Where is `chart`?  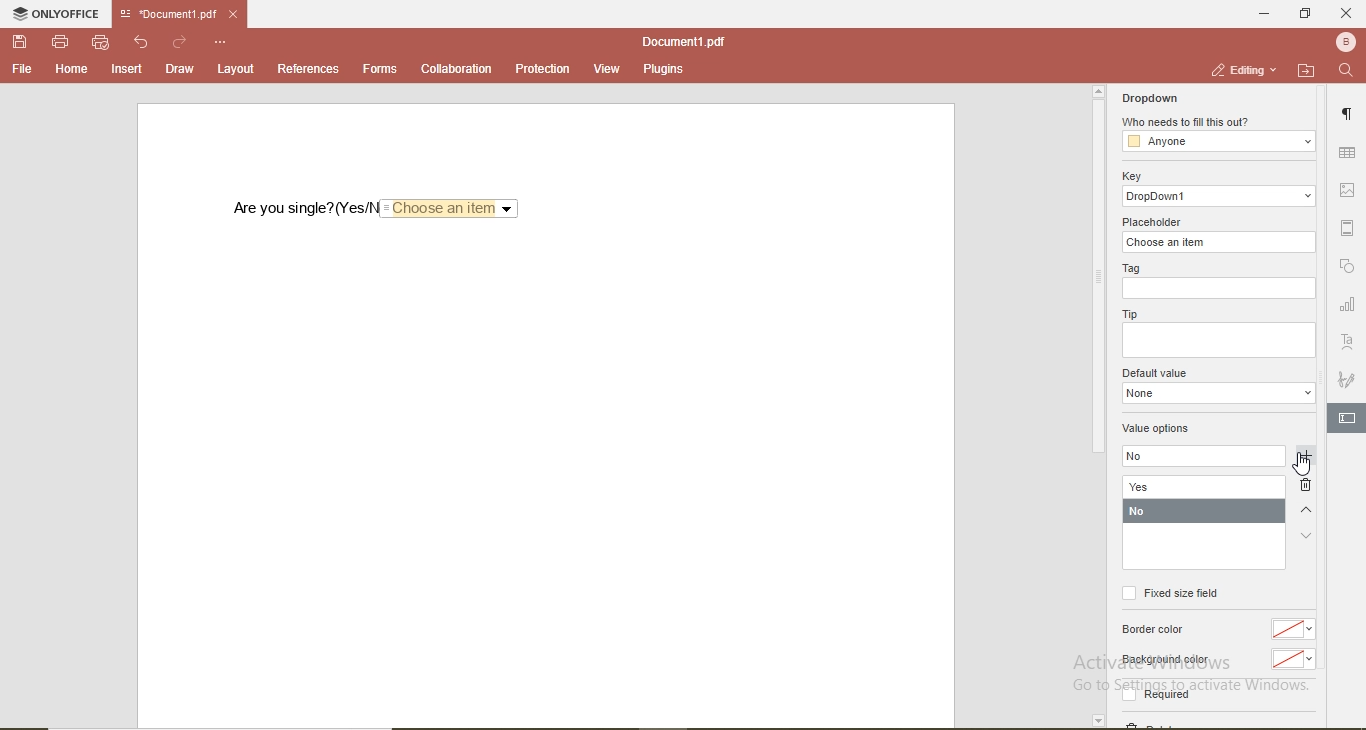 chart is located at coordinates (1348, 304).